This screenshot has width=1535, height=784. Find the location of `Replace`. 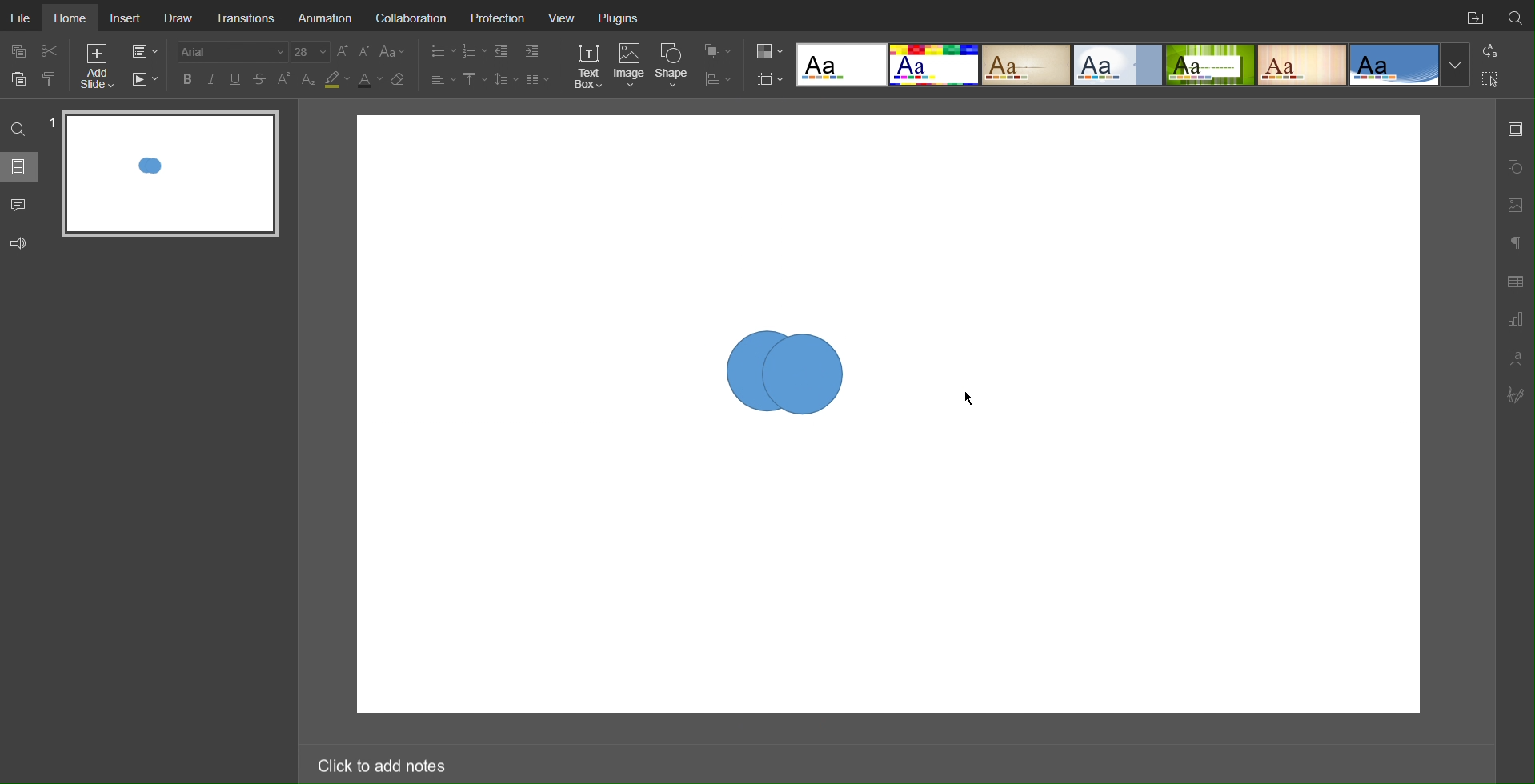

Replace is located at coordinates (1489, 50).